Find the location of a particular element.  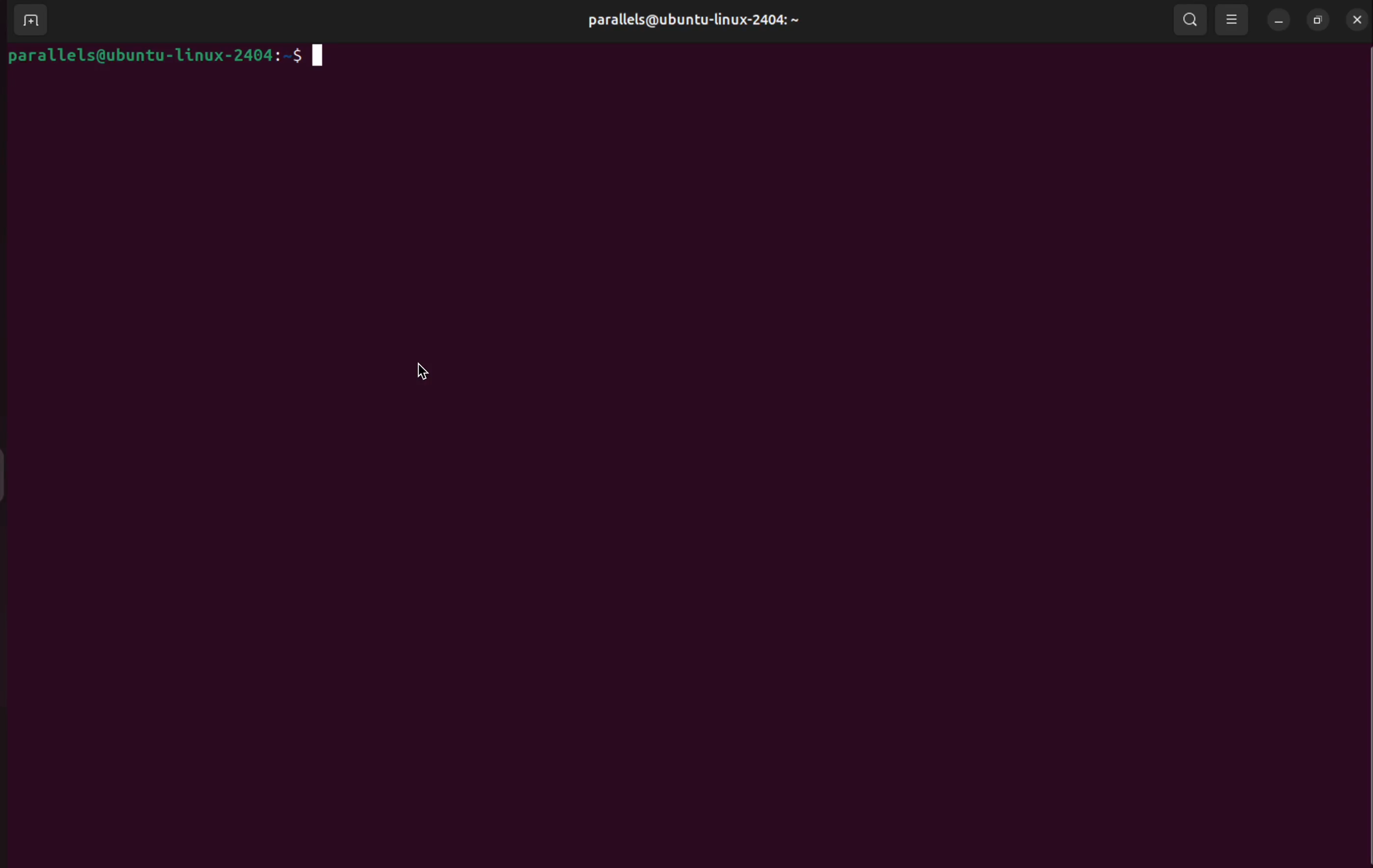

bash prompt is located at coordinates (170, 55).